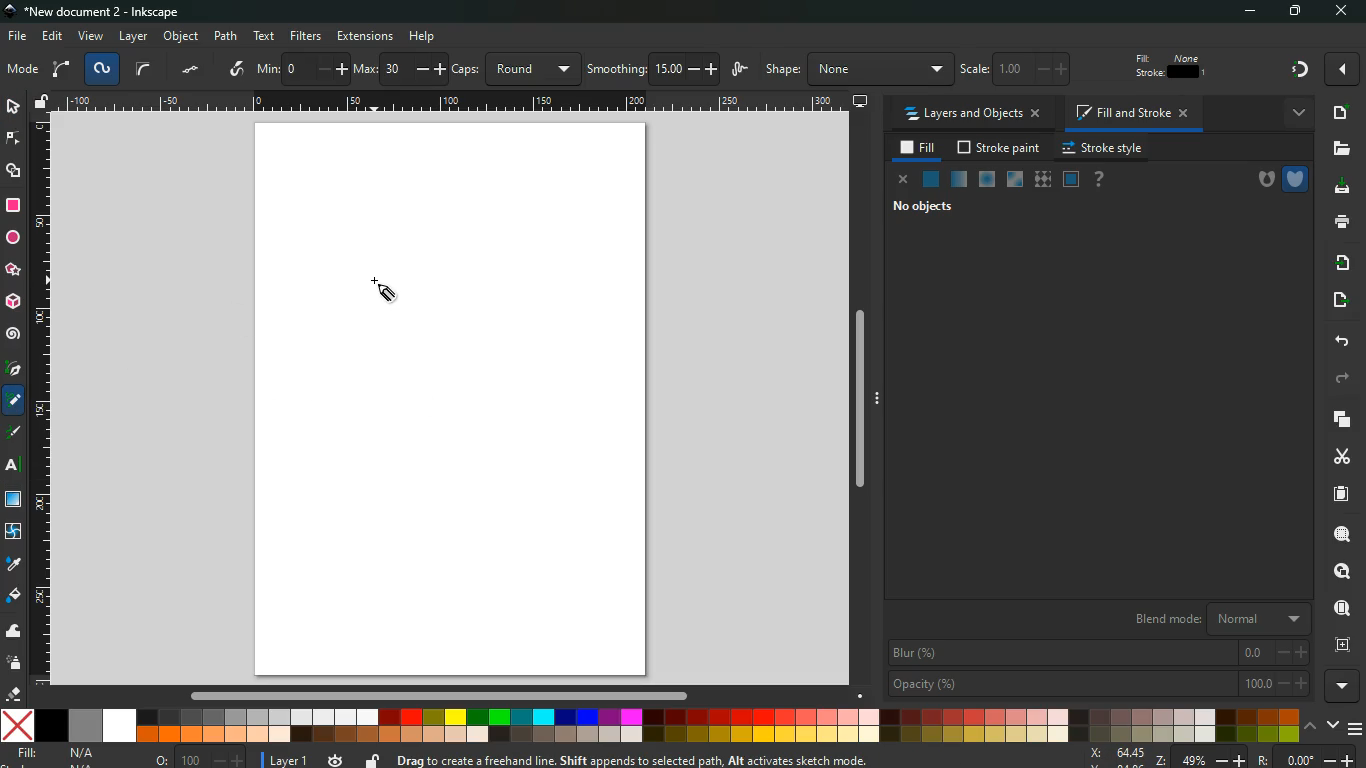  I want to click on edge, so click(13, 141).